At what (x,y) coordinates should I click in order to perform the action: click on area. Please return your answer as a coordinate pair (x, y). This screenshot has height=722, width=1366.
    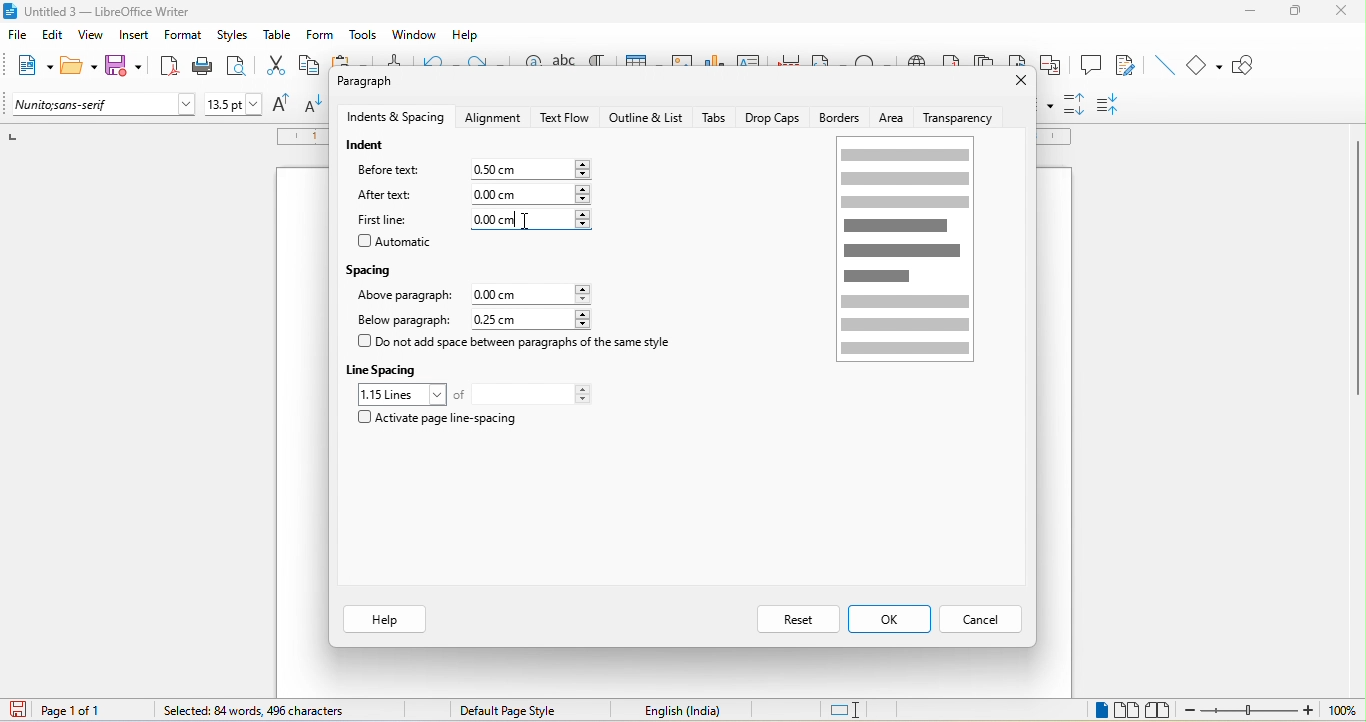
    Looking at the image, I should click on (892, 118).